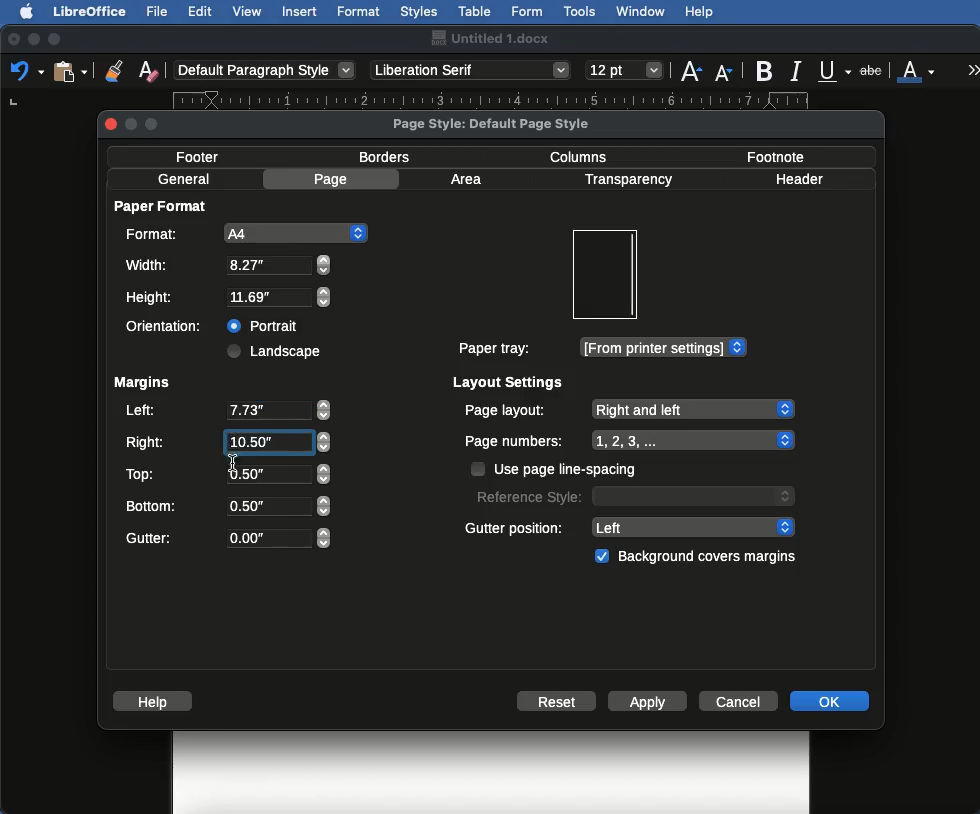 Image resolution: width=980 pixels, height=814 pixels. What do you see at coordinates (648, 703) in the screenshot?
I see `Apply` at bounding box center [648, 703].